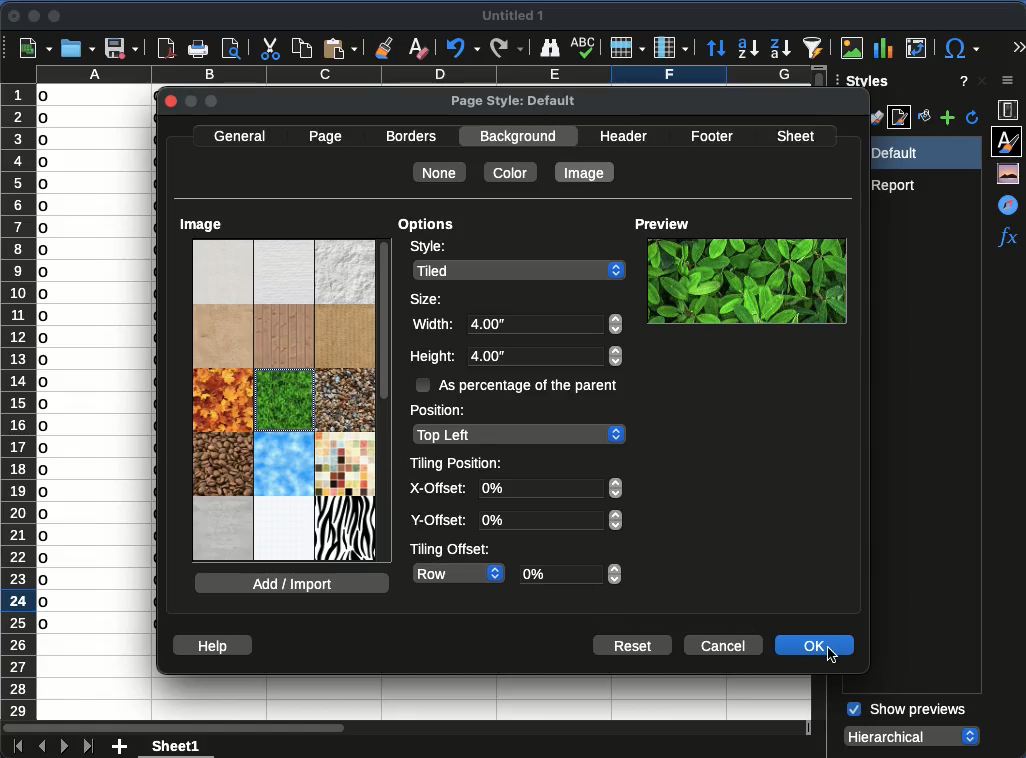  Describe the element at coordinates (901, 119) in the screenshot. I see `page style` at that location.